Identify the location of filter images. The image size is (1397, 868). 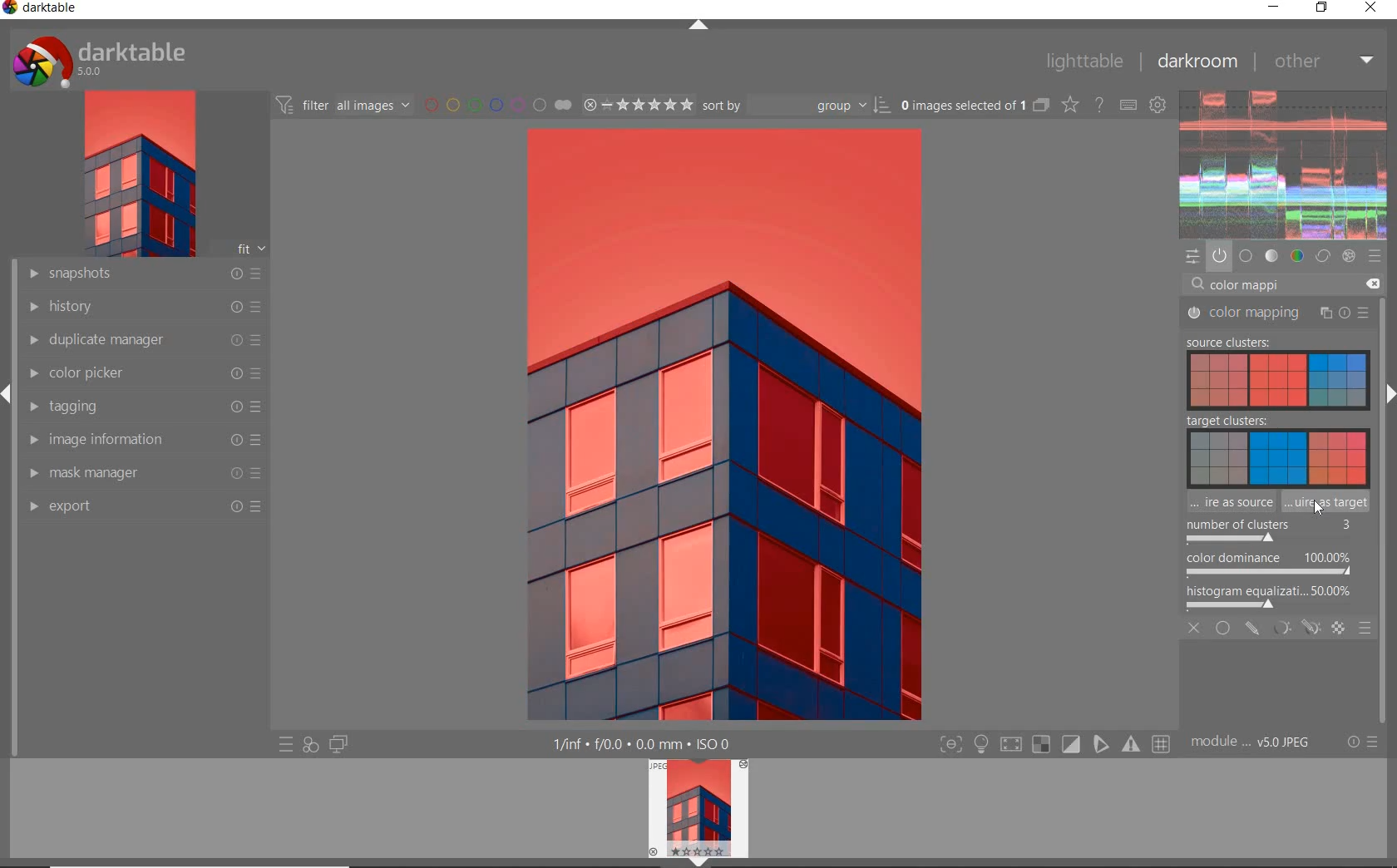
(342, 104).